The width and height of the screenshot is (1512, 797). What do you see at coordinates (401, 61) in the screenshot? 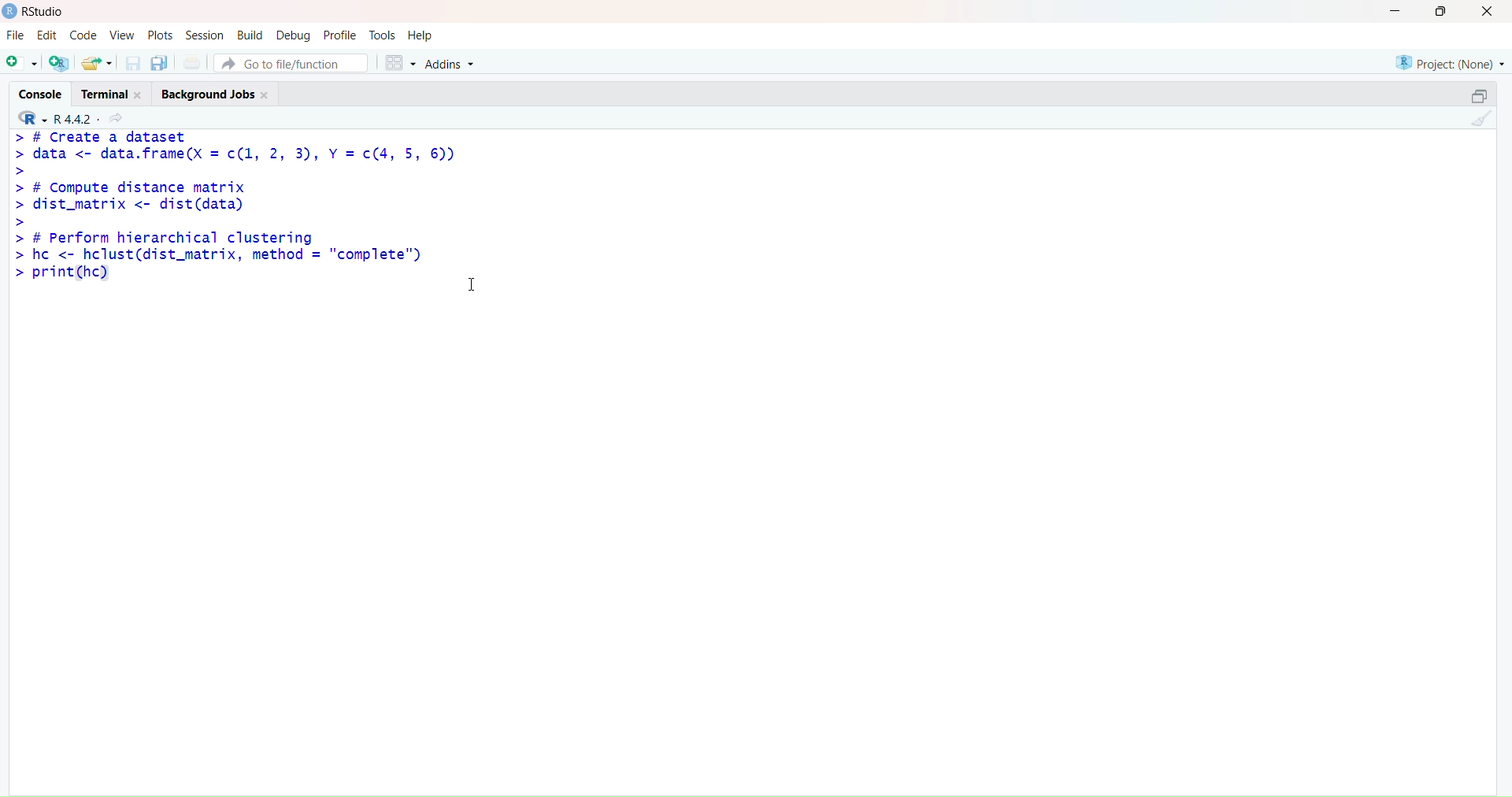
I see `Workspace panes` at bounding box center [401, 61].